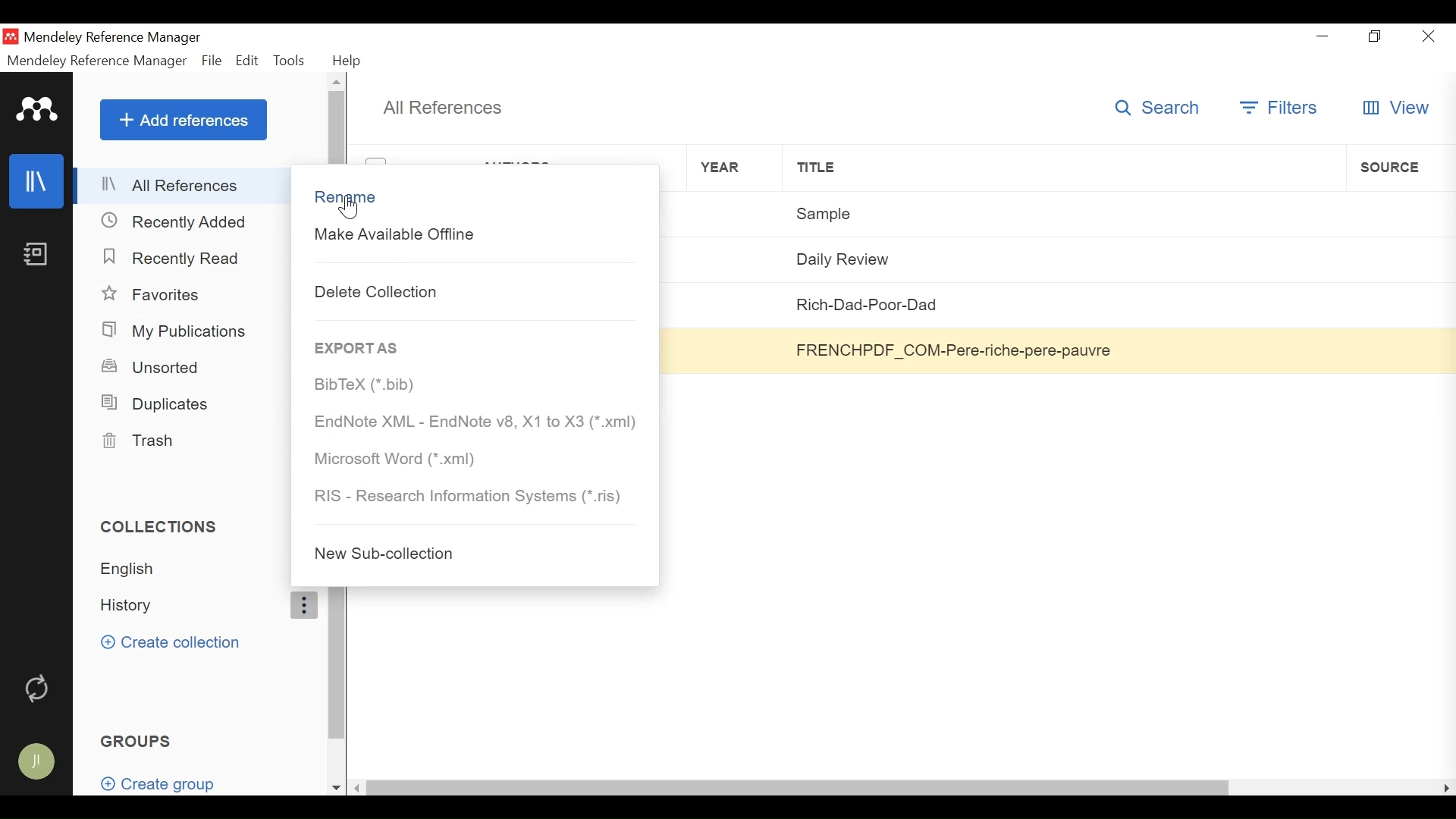 The image size is (1456, 819). Describe the element at coordinates (1064, 212) in the screenshot. I see `Sample` at that location.